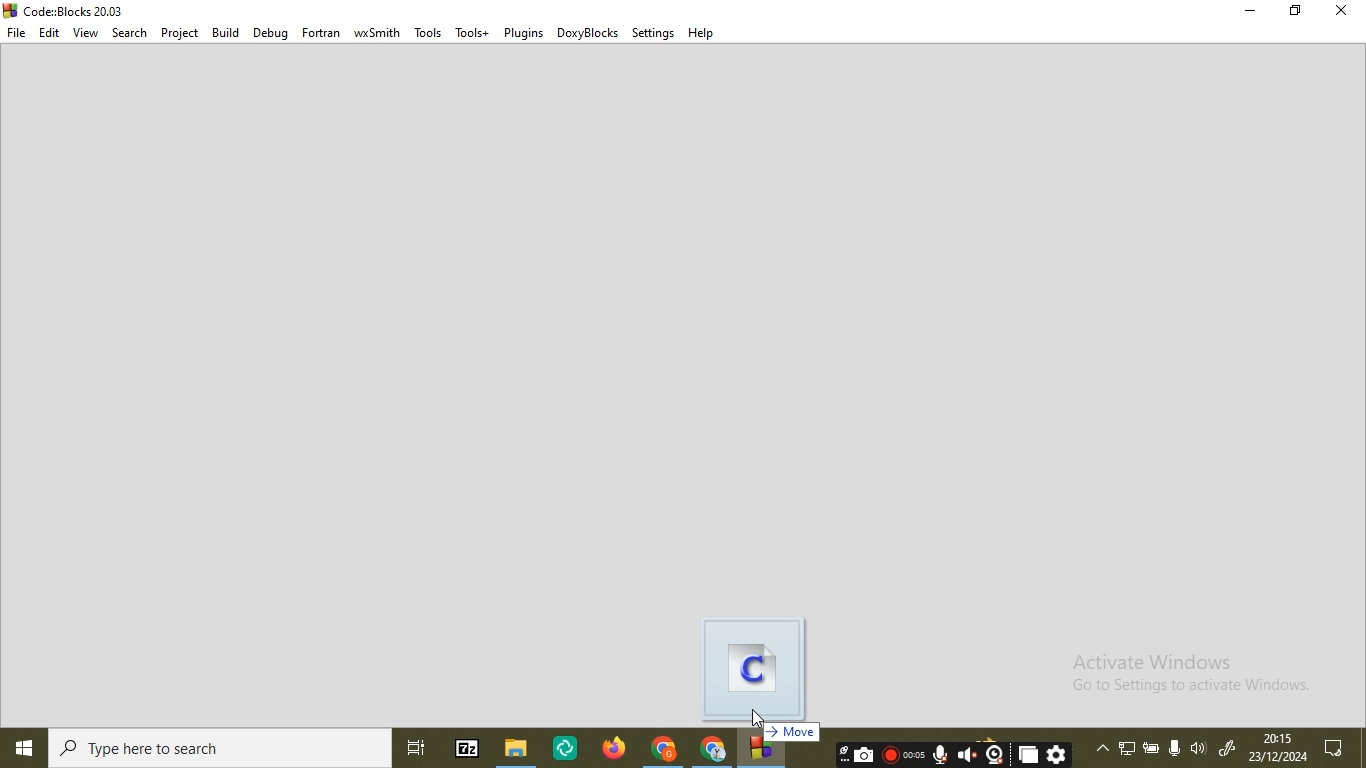  I want to click on DoxyBlocks, so click(588, 31).